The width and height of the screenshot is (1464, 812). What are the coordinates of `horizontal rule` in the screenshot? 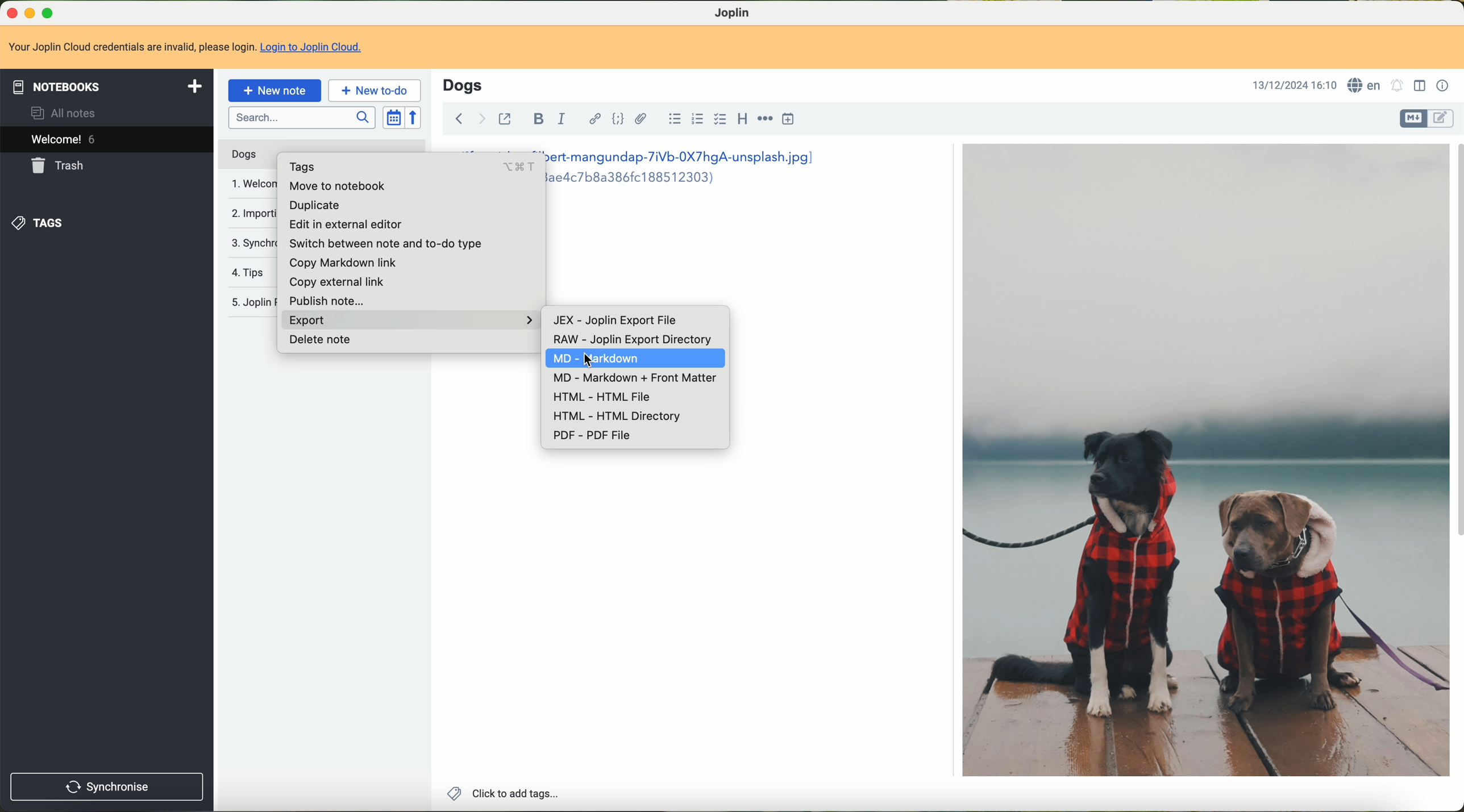 It's located at (764, 121).